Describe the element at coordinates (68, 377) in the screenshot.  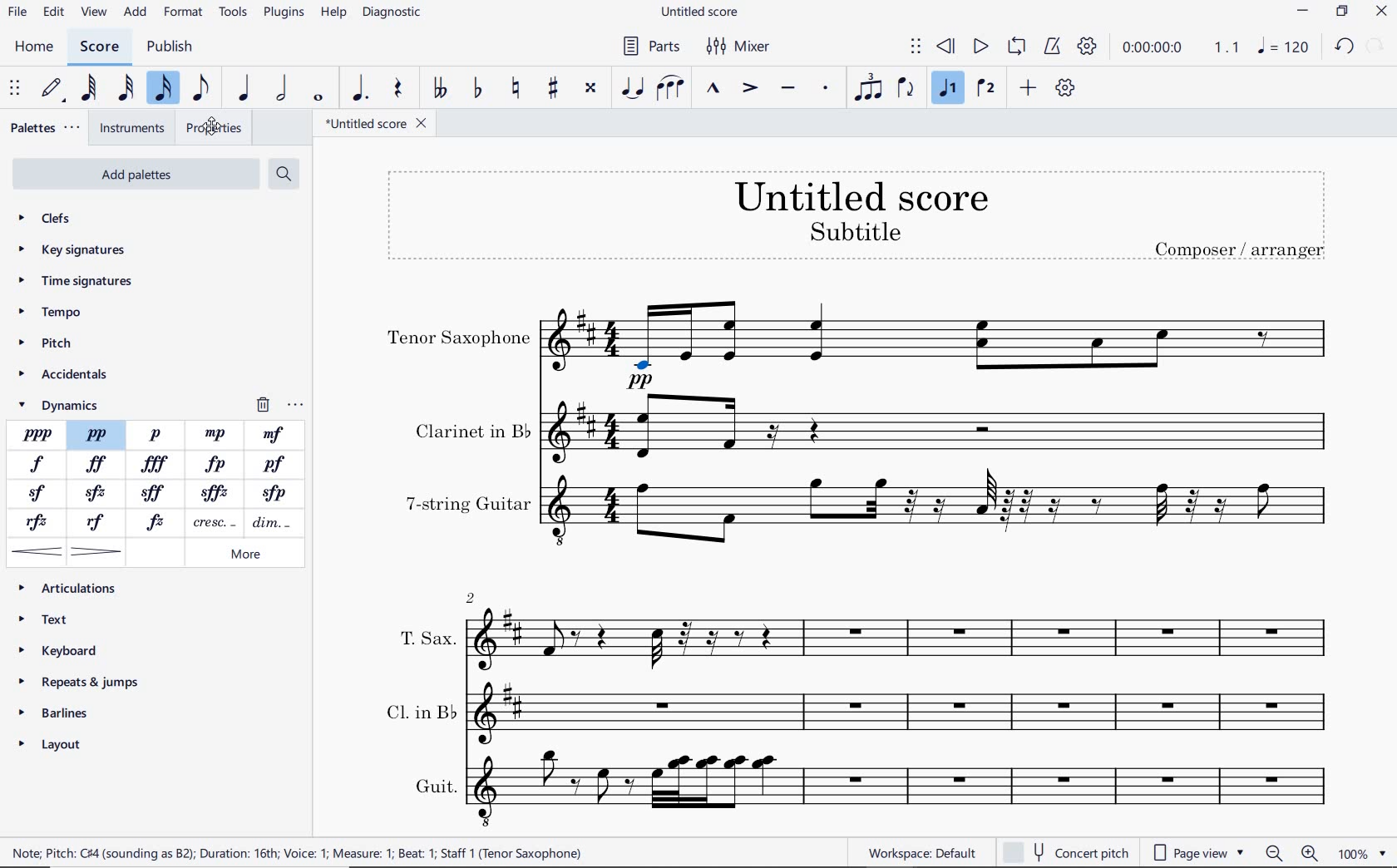
I see `accidentals` at that location.